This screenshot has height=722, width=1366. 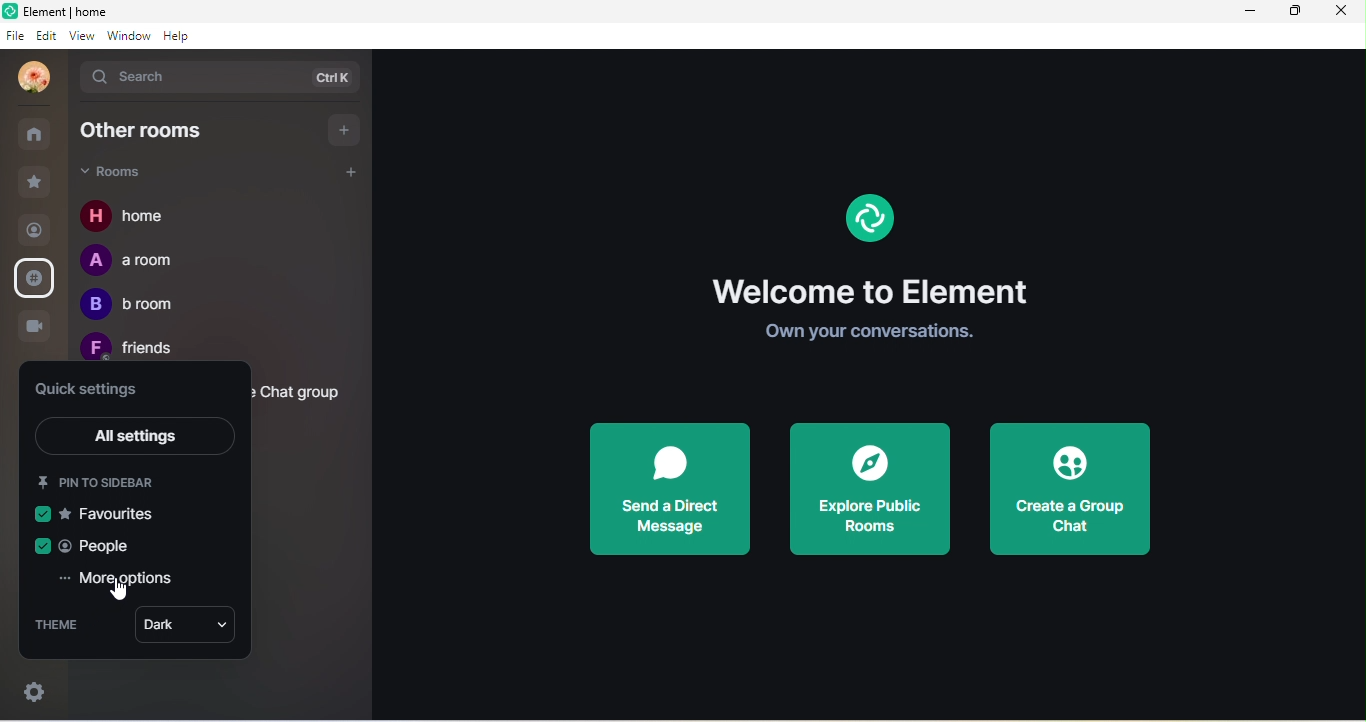 I want to click on profile photo, so click(x=31, y=78).